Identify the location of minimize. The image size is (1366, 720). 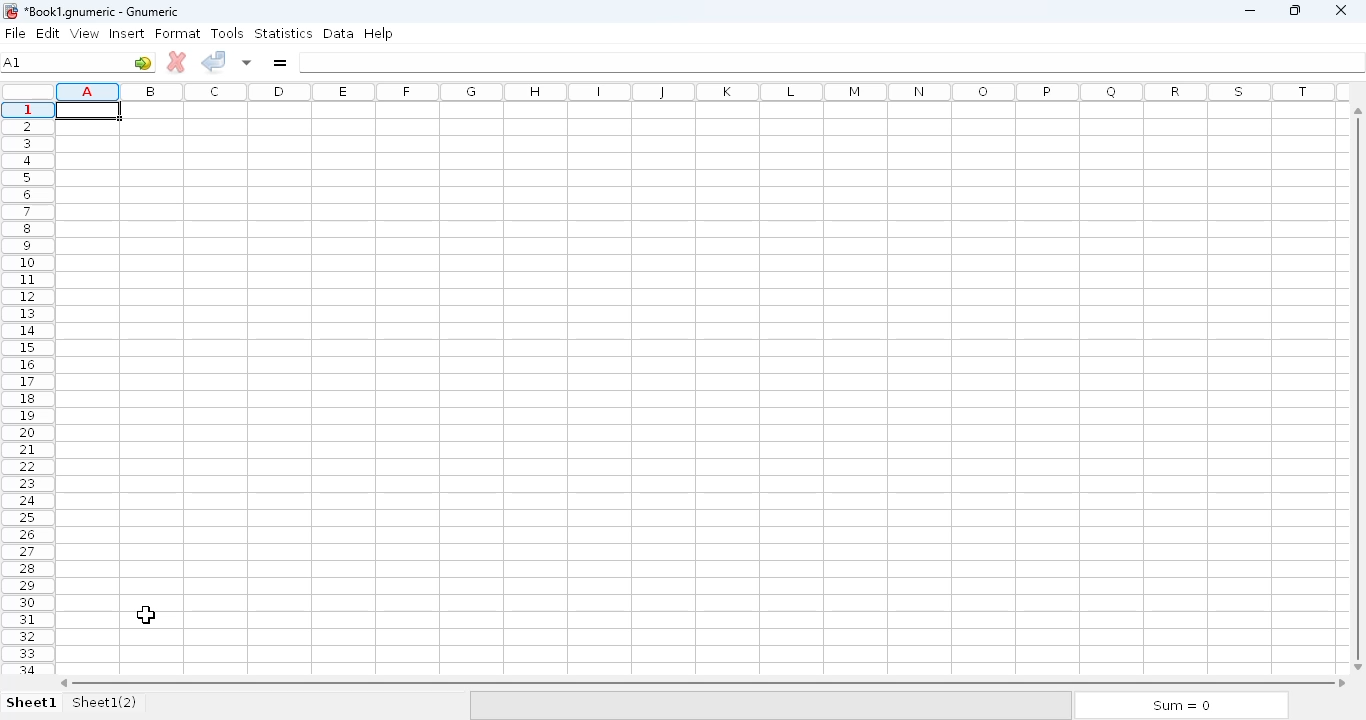
(1249, 11).